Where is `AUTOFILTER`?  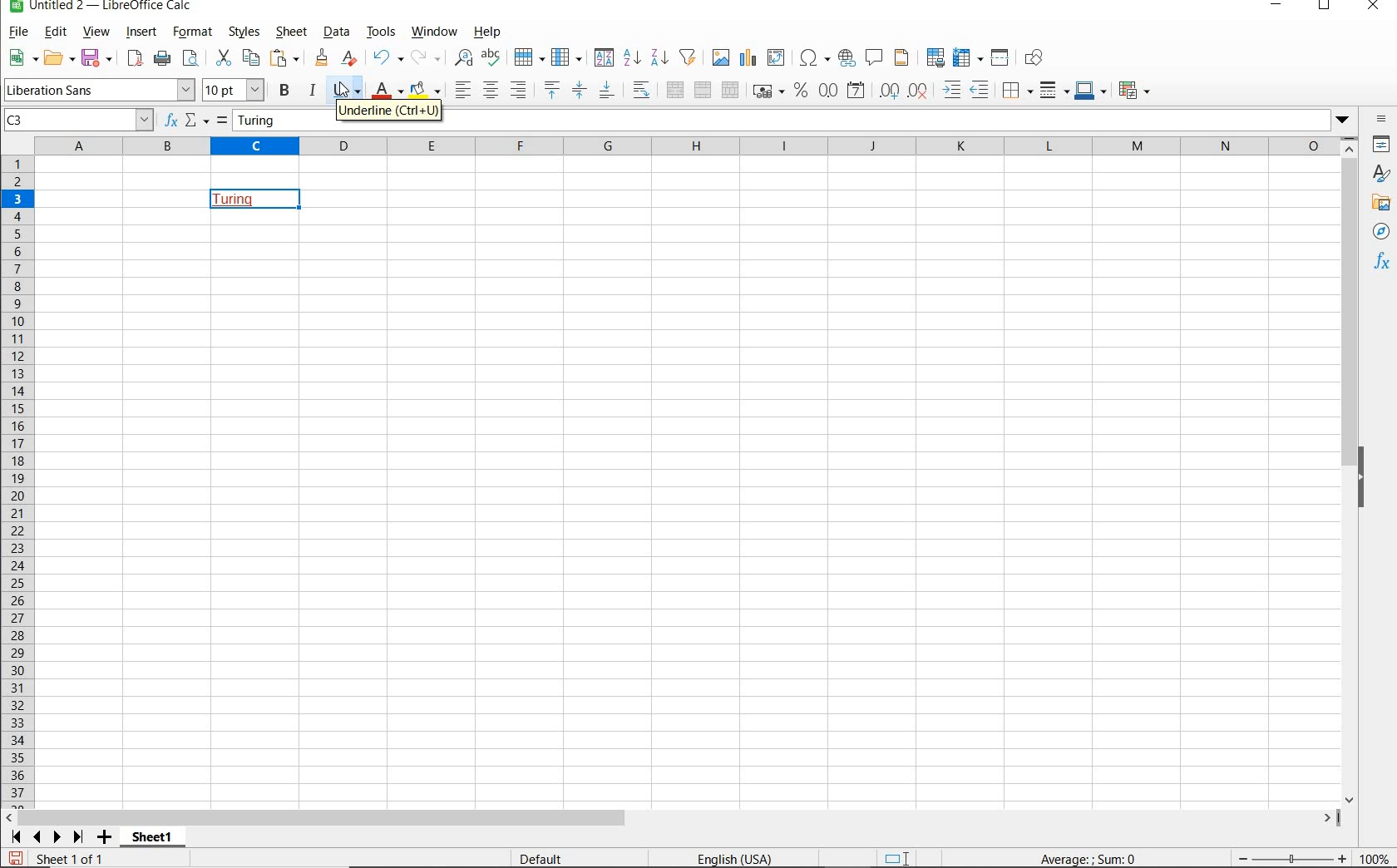
AUTOFILTER is located at coordinates (688, 58).